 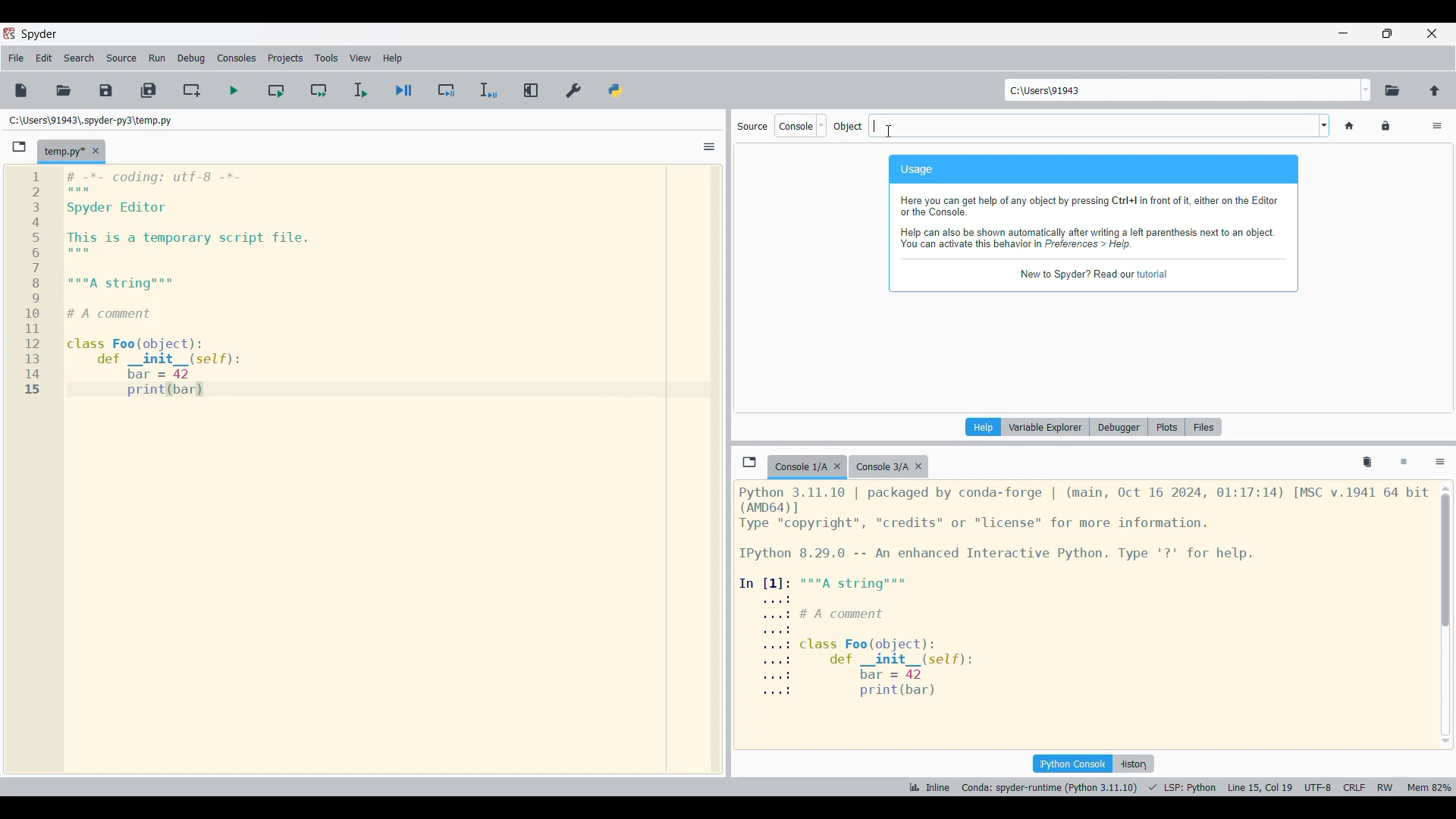 I want to click on New file, so click(x=21, y=90).